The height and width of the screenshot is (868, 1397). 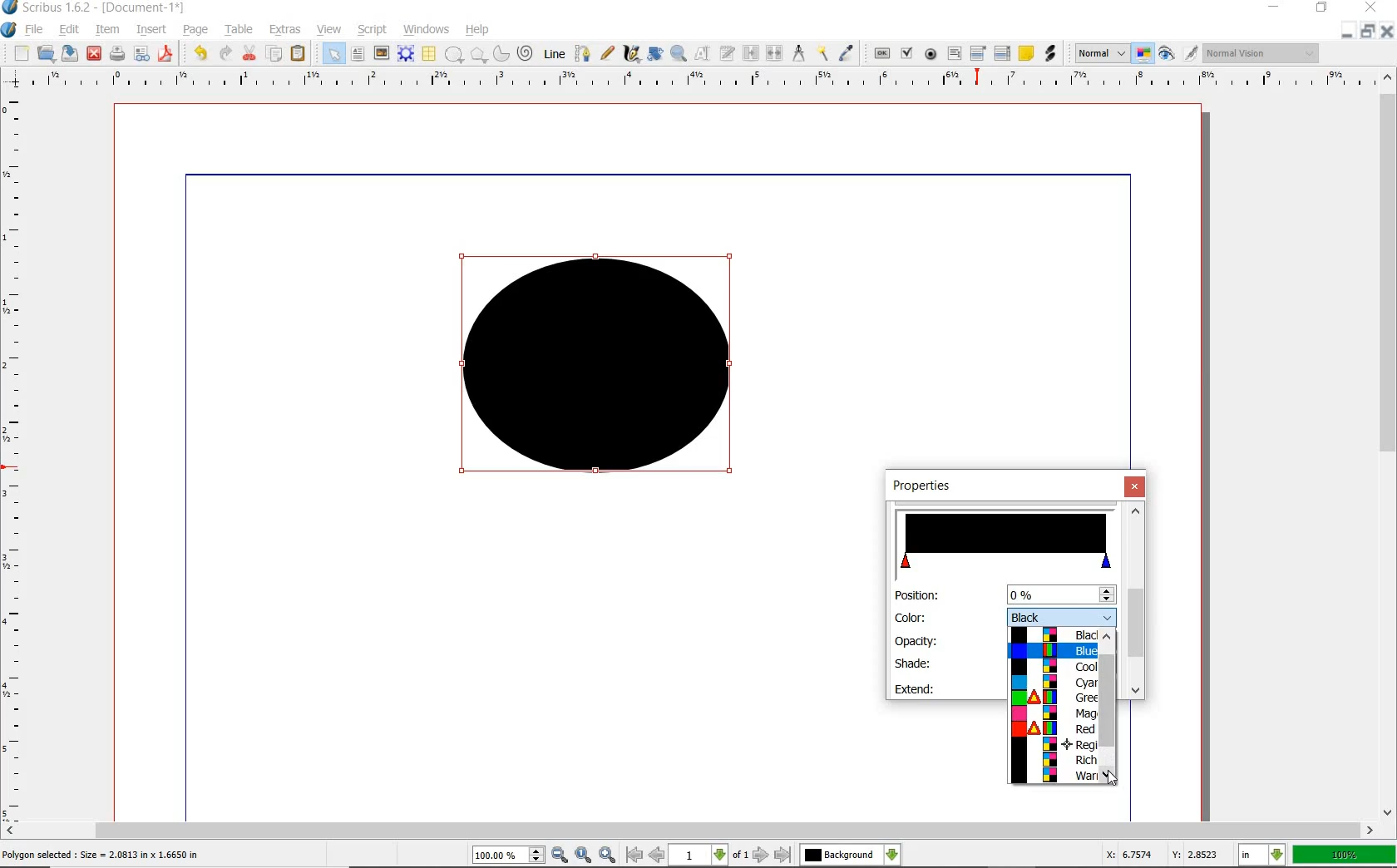 What do you see at coordinates (225, 52) in the screenshot?
I see `REDO` at bounding box center [225, 52].